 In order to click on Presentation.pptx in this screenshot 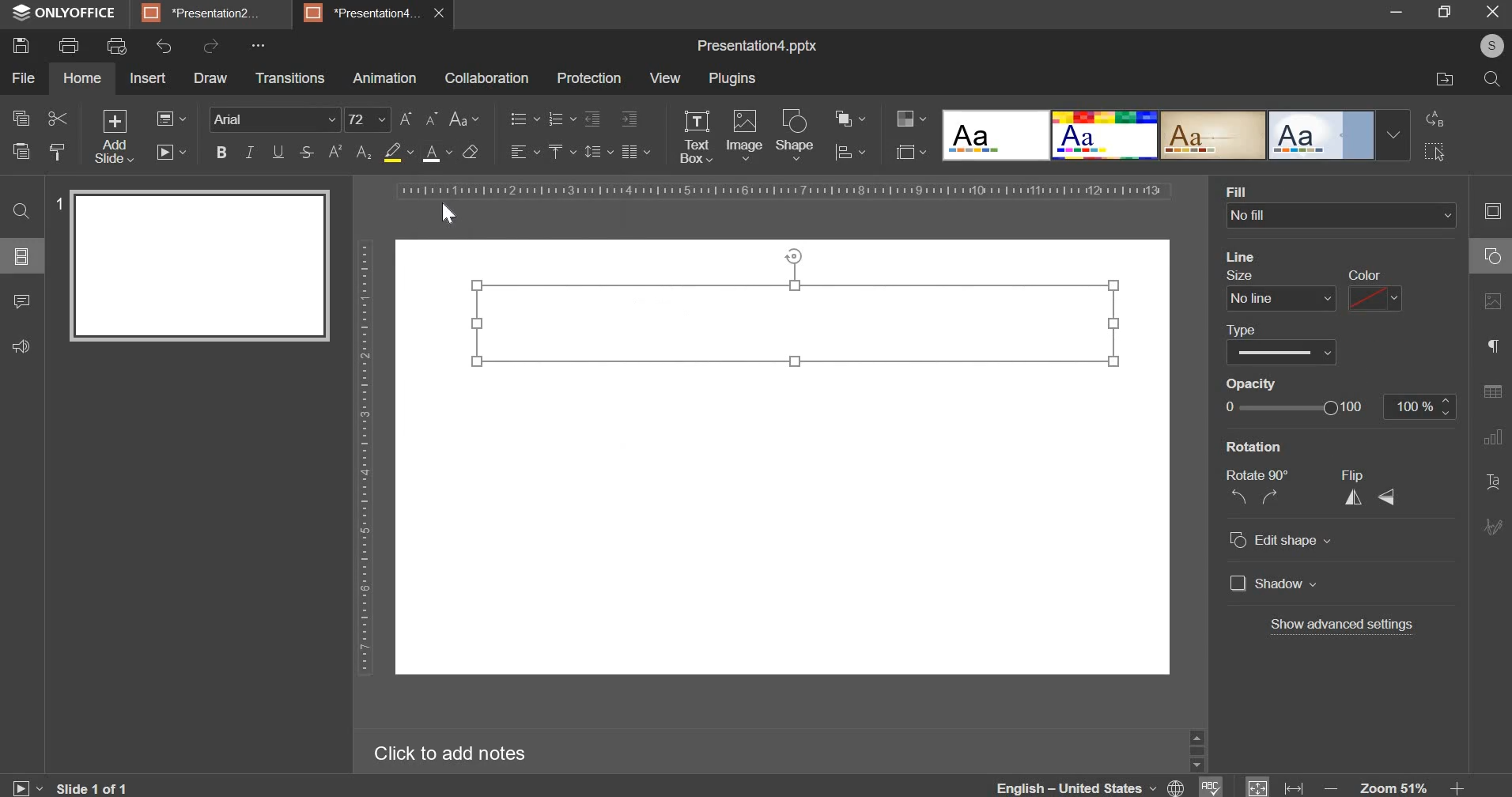, I will do `click(748, 44)`.